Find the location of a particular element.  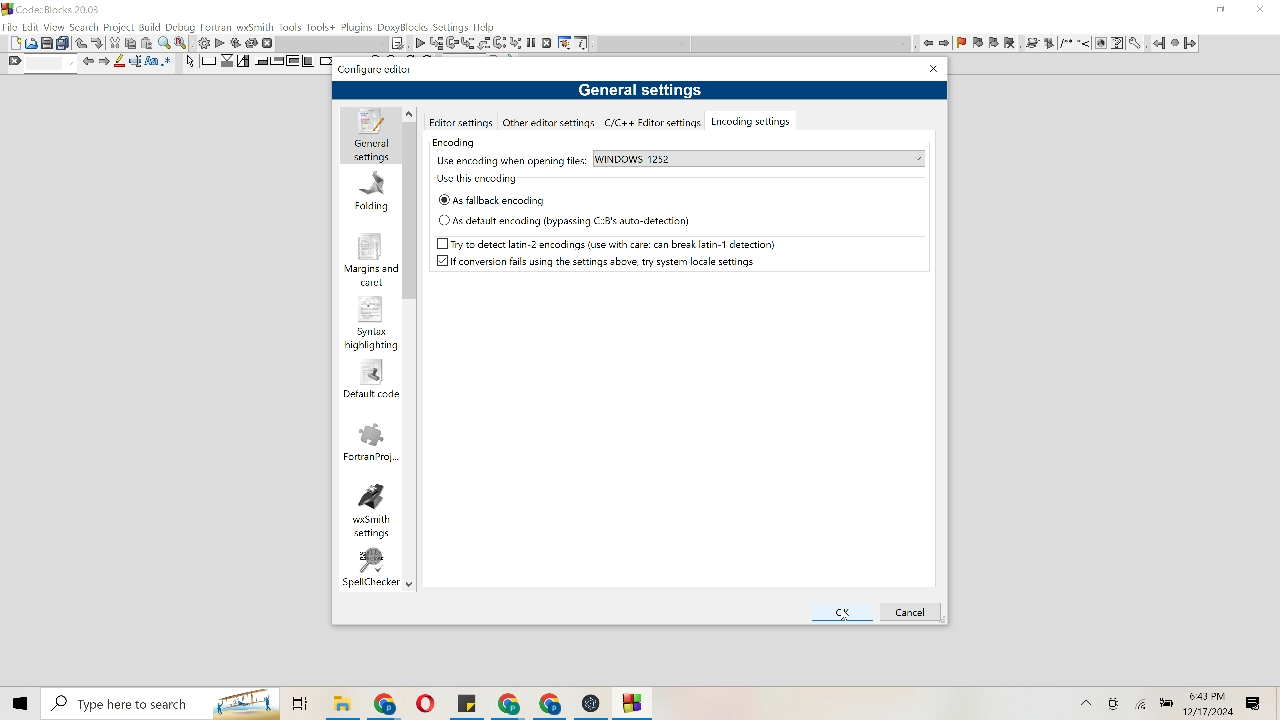

Play is located at coordinates (421, 43).